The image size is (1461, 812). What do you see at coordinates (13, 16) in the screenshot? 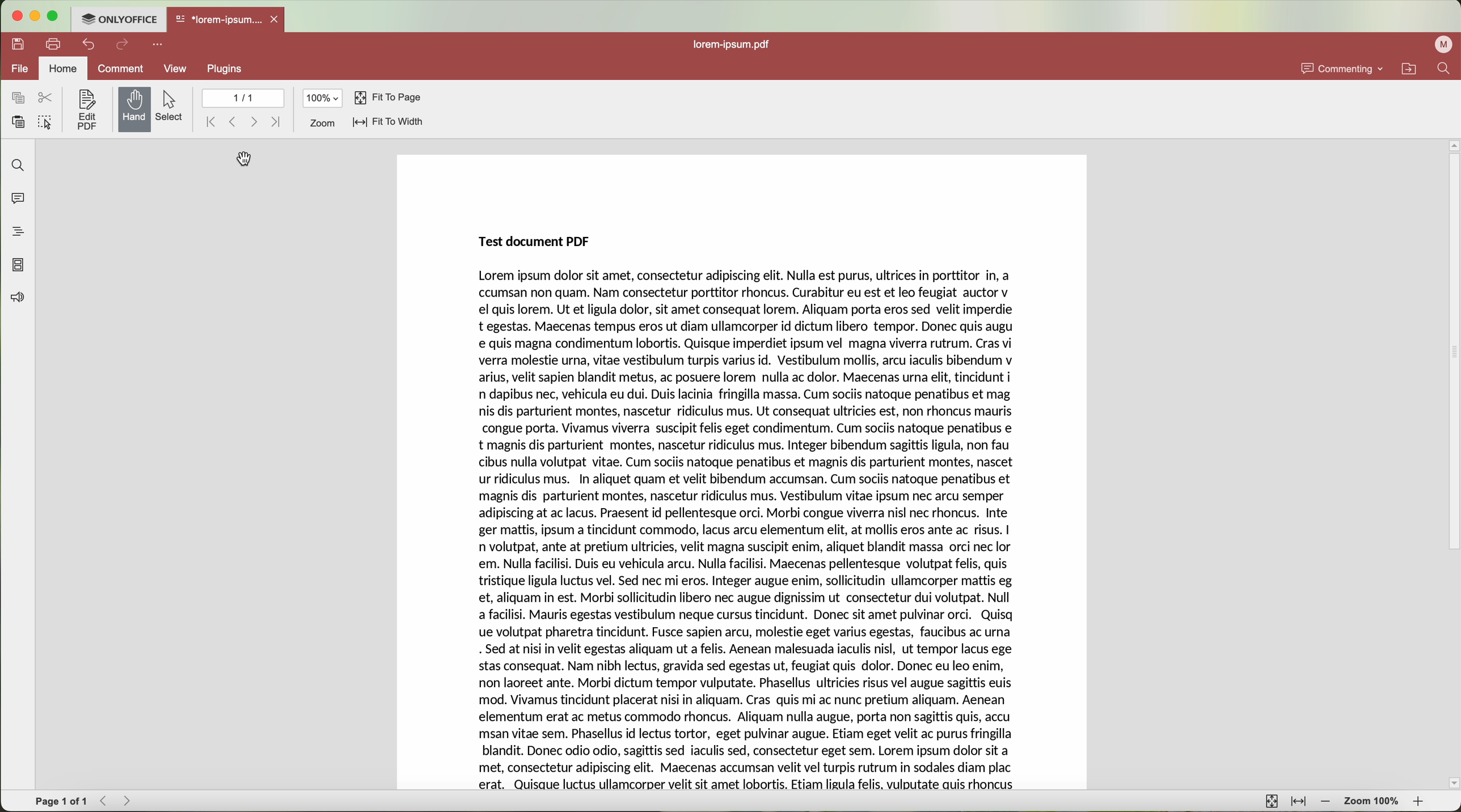
I see `close program` at bounding box center [13, 16].